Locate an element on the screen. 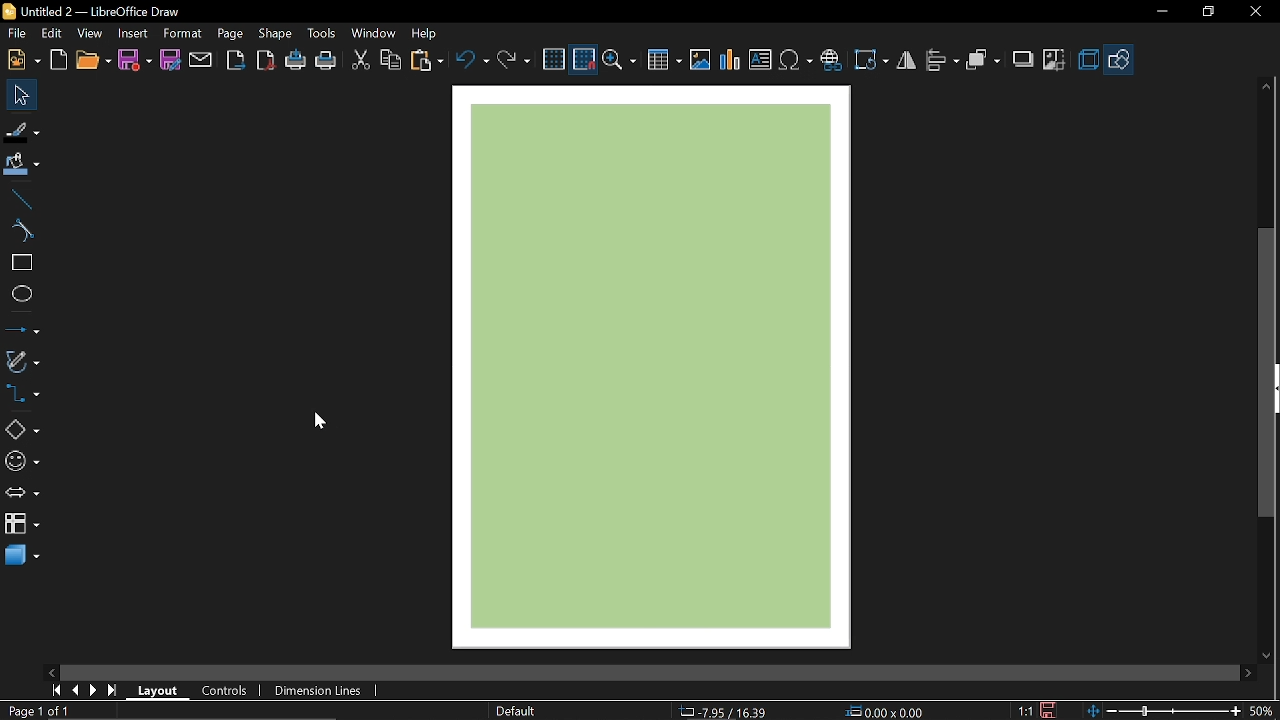  Untitled 2 - LibreOffice Draw is located at coordinates (101, 10).